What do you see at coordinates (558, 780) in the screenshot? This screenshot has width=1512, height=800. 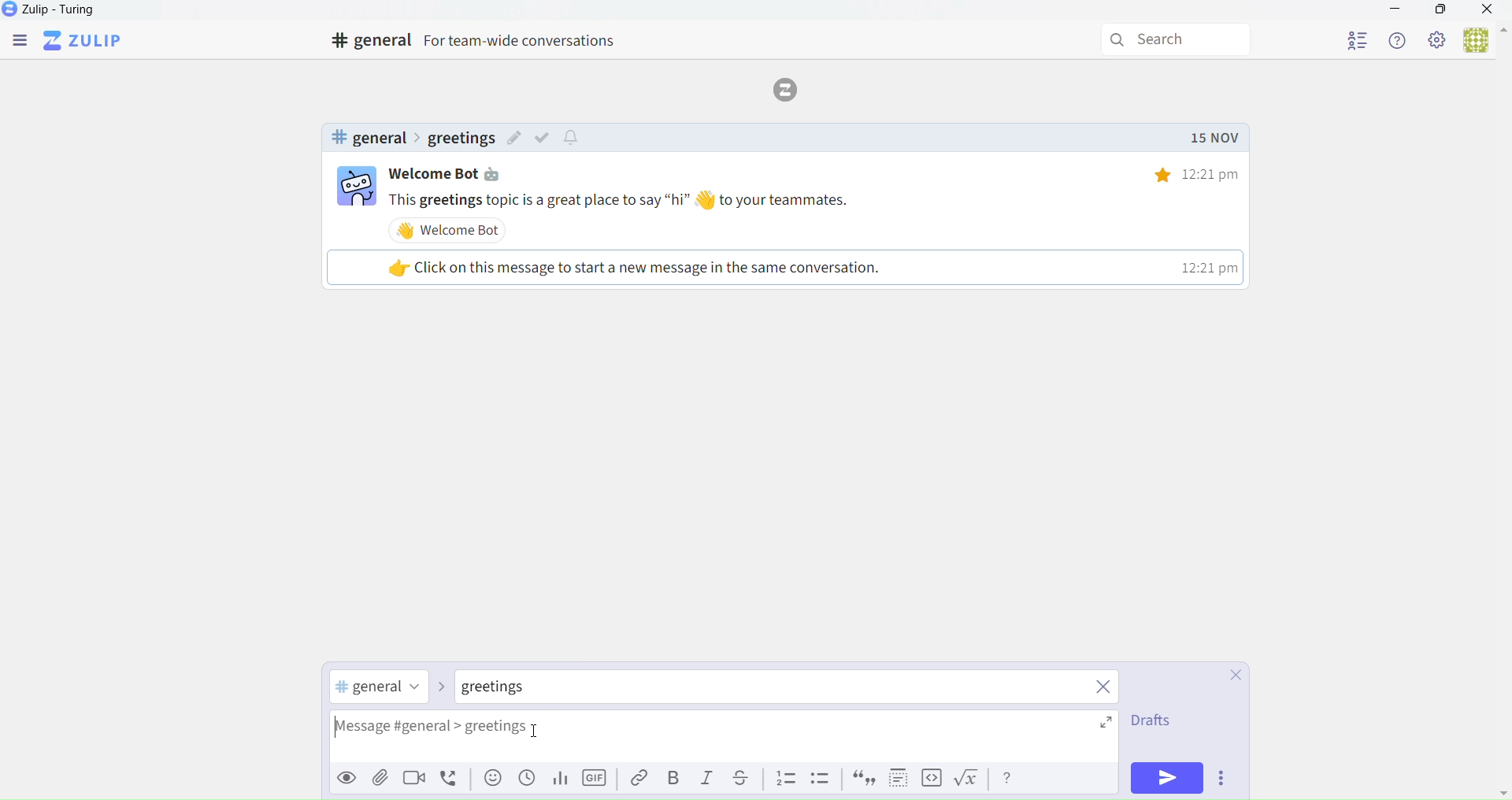 I see `Stats` at bounding box center [558, 780].